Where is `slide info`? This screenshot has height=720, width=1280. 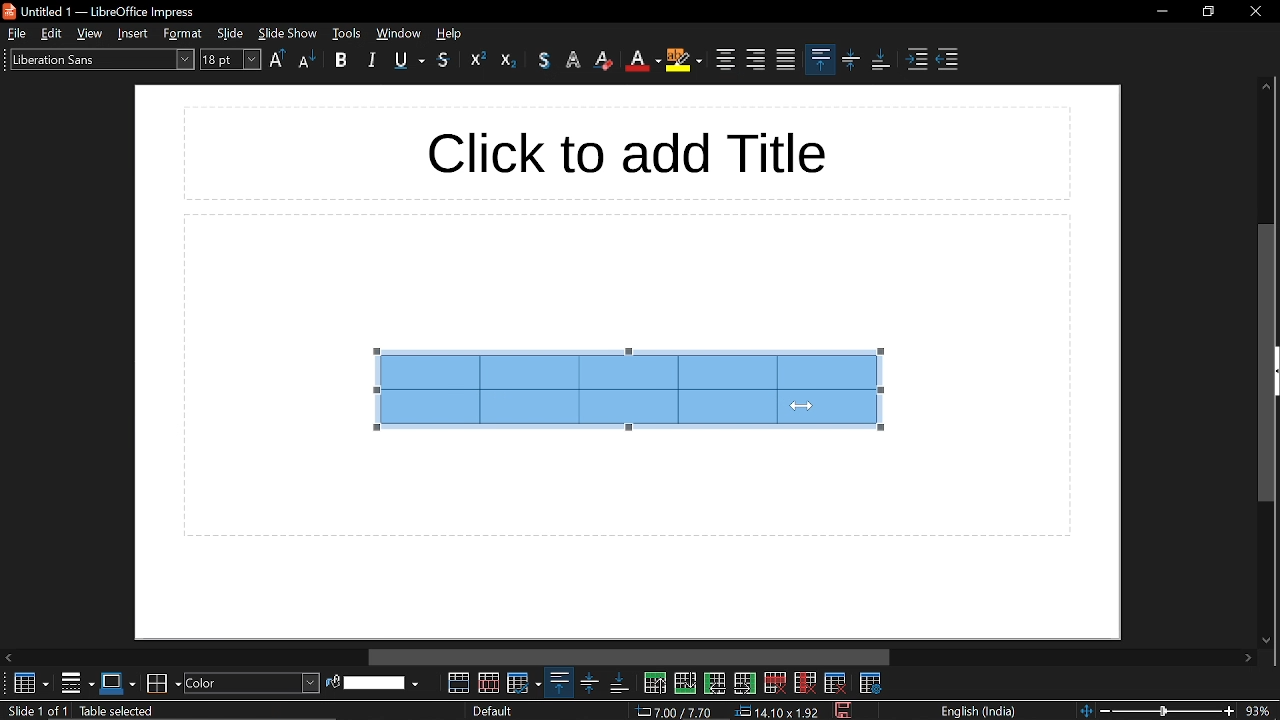 slide info is located at coordinates (181, 711).